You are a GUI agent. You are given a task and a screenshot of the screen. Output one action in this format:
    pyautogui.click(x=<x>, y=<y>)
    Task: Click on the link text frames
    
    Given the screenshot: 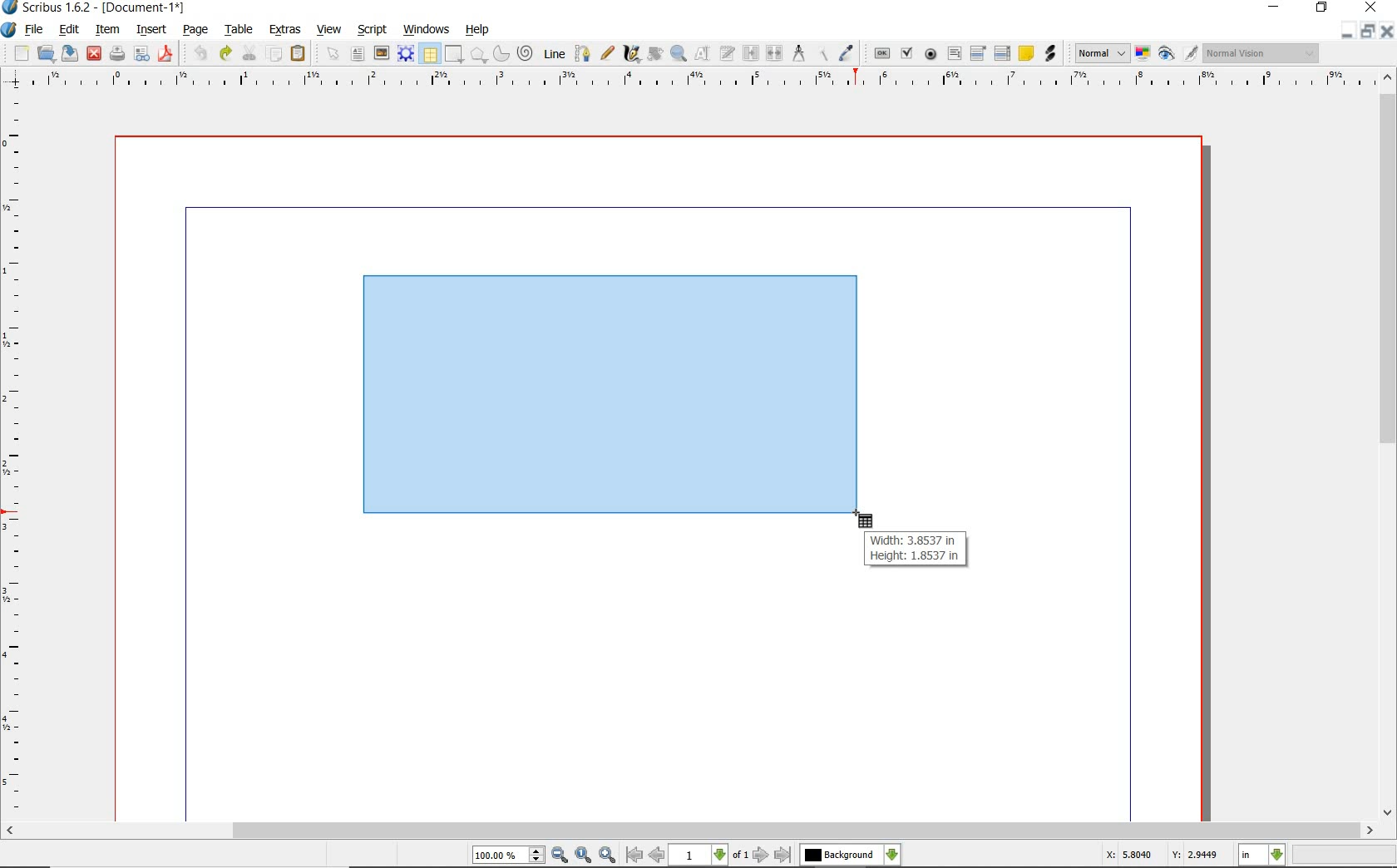 What is the action you would take?
    pyautogui.click(x=752, y=53)
    